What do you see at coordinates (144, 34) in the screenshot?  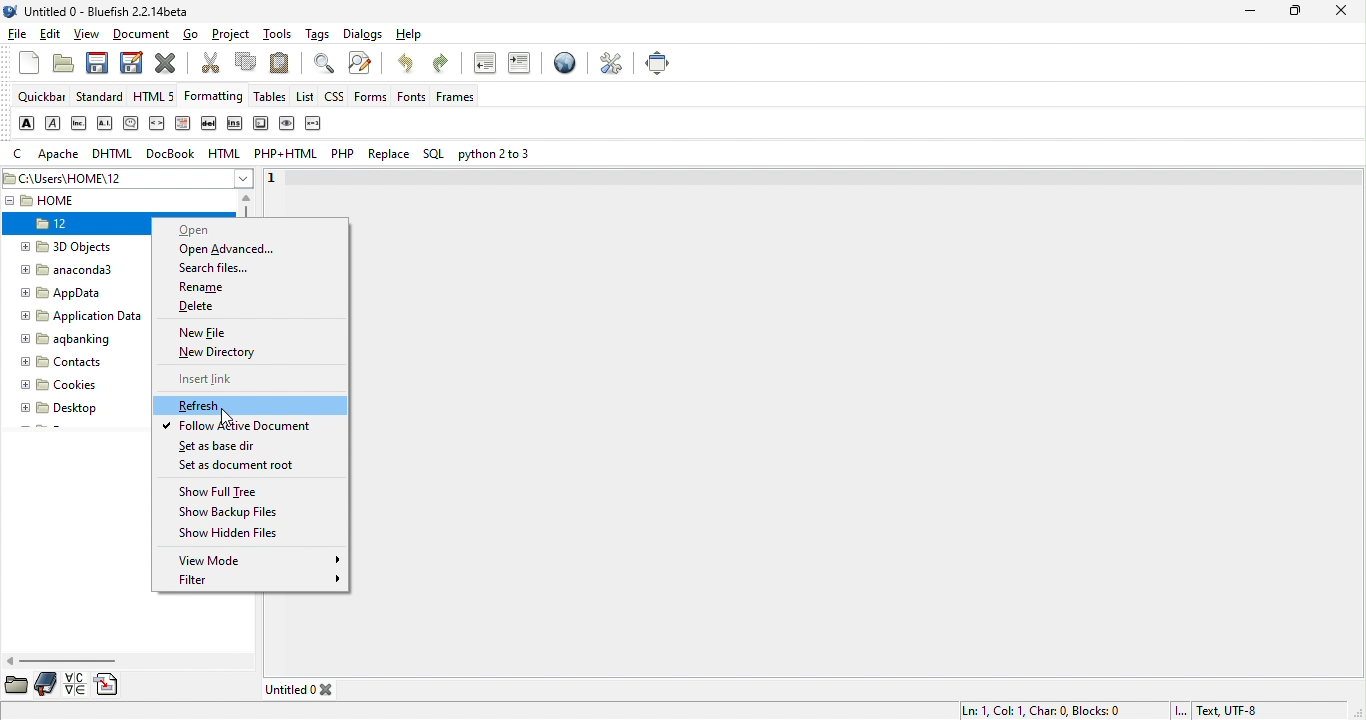 I see `document ` at bounding box center [144, 34].